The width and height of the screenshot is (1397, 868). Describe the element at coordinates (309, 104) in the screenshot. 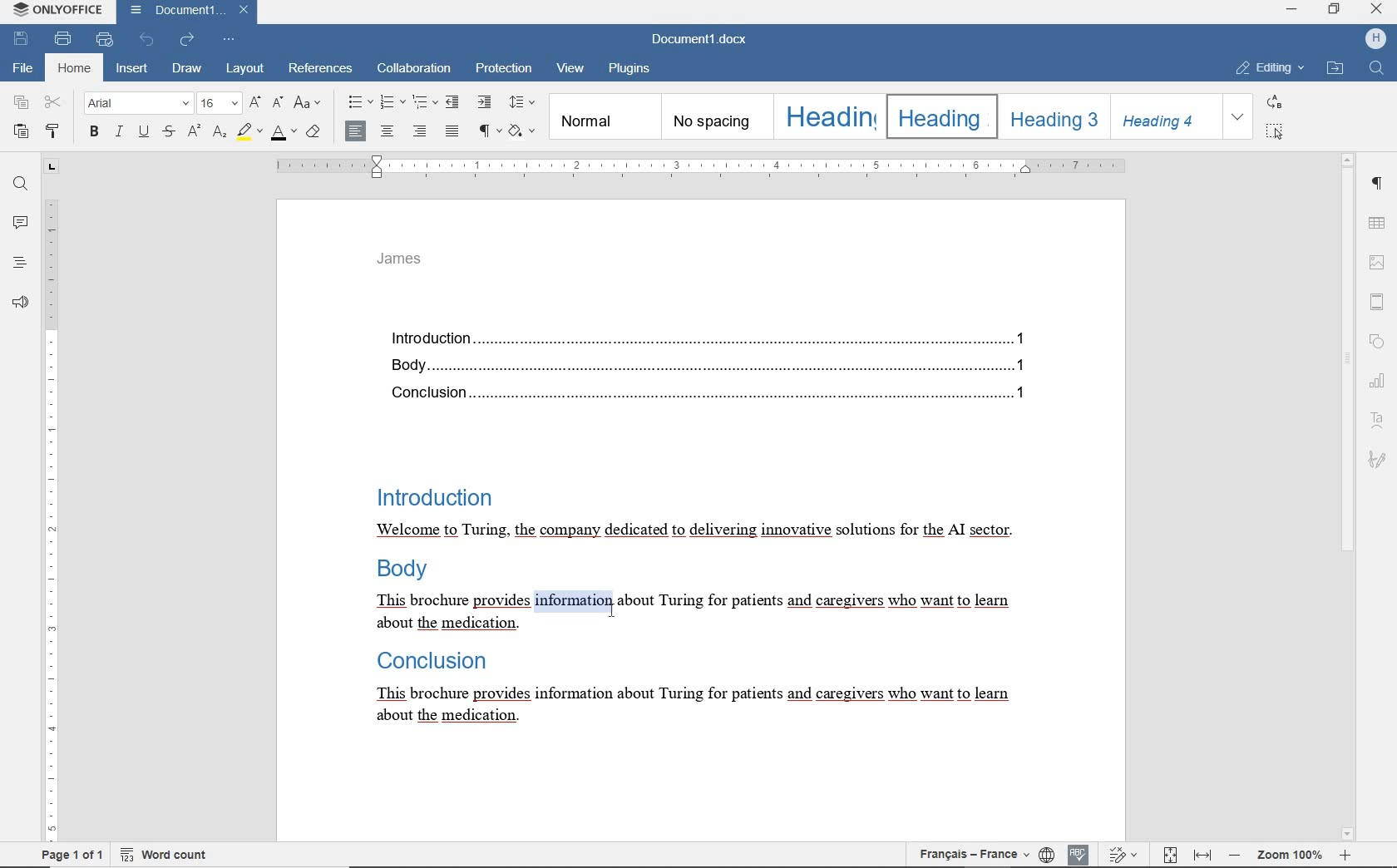

I see `CHANGE CASE` at that location.